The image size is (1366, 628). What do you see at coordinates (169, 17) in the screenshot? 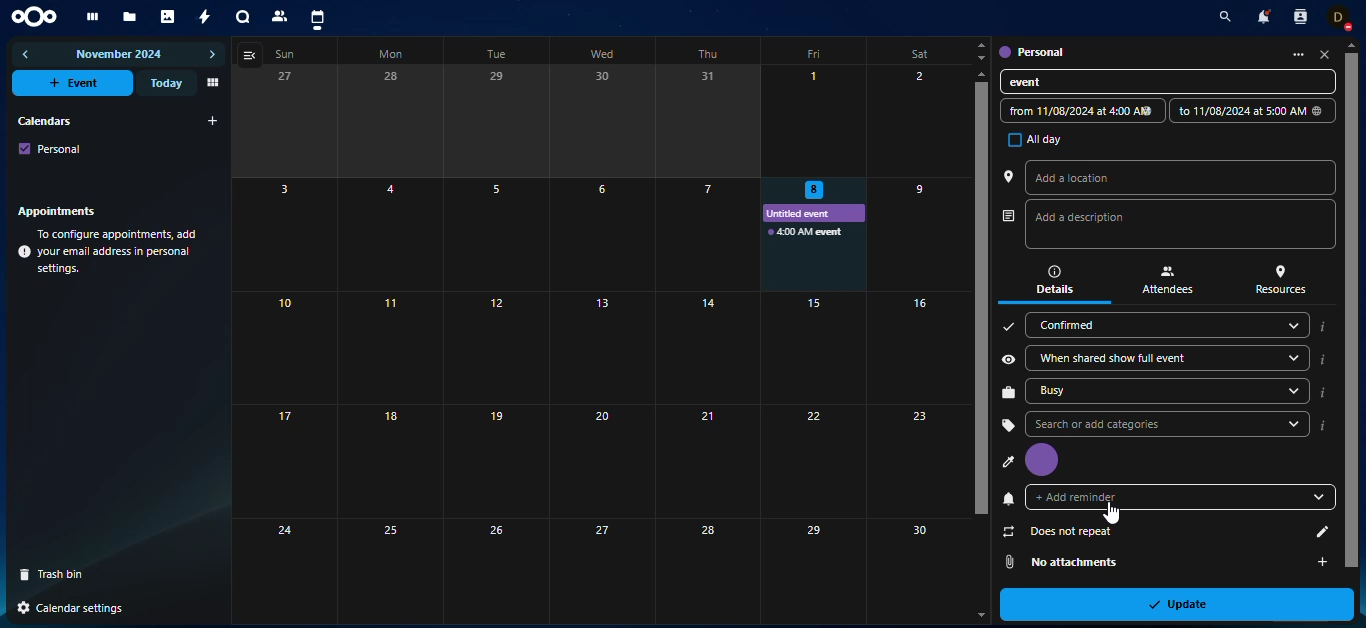
I see `photos` at bounding box center [169, 17].